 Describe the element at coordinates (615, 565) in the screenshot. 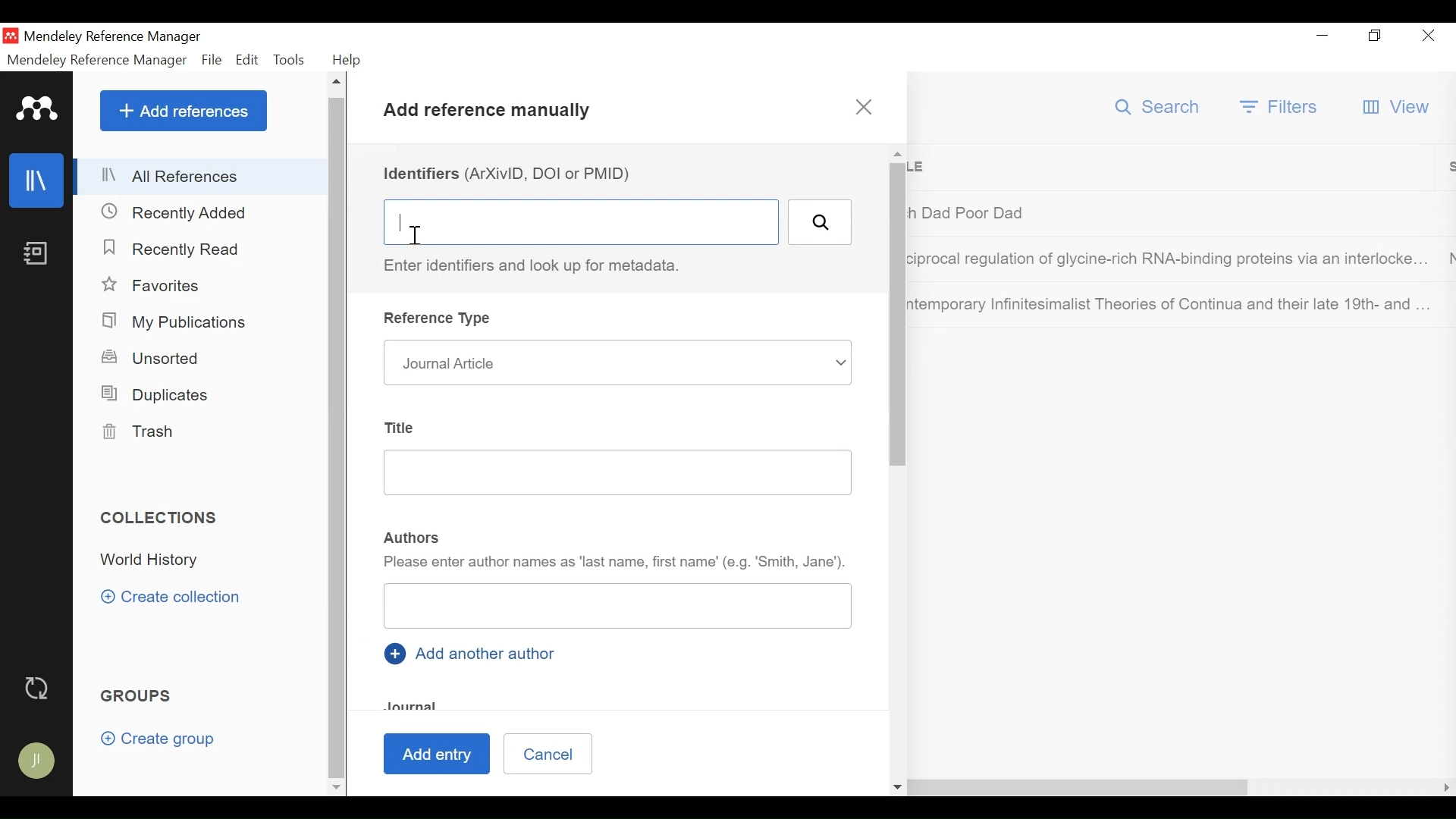

I see `Please enter author names as "last name, first name' (e.g. "Smith, Jane').` at that location.